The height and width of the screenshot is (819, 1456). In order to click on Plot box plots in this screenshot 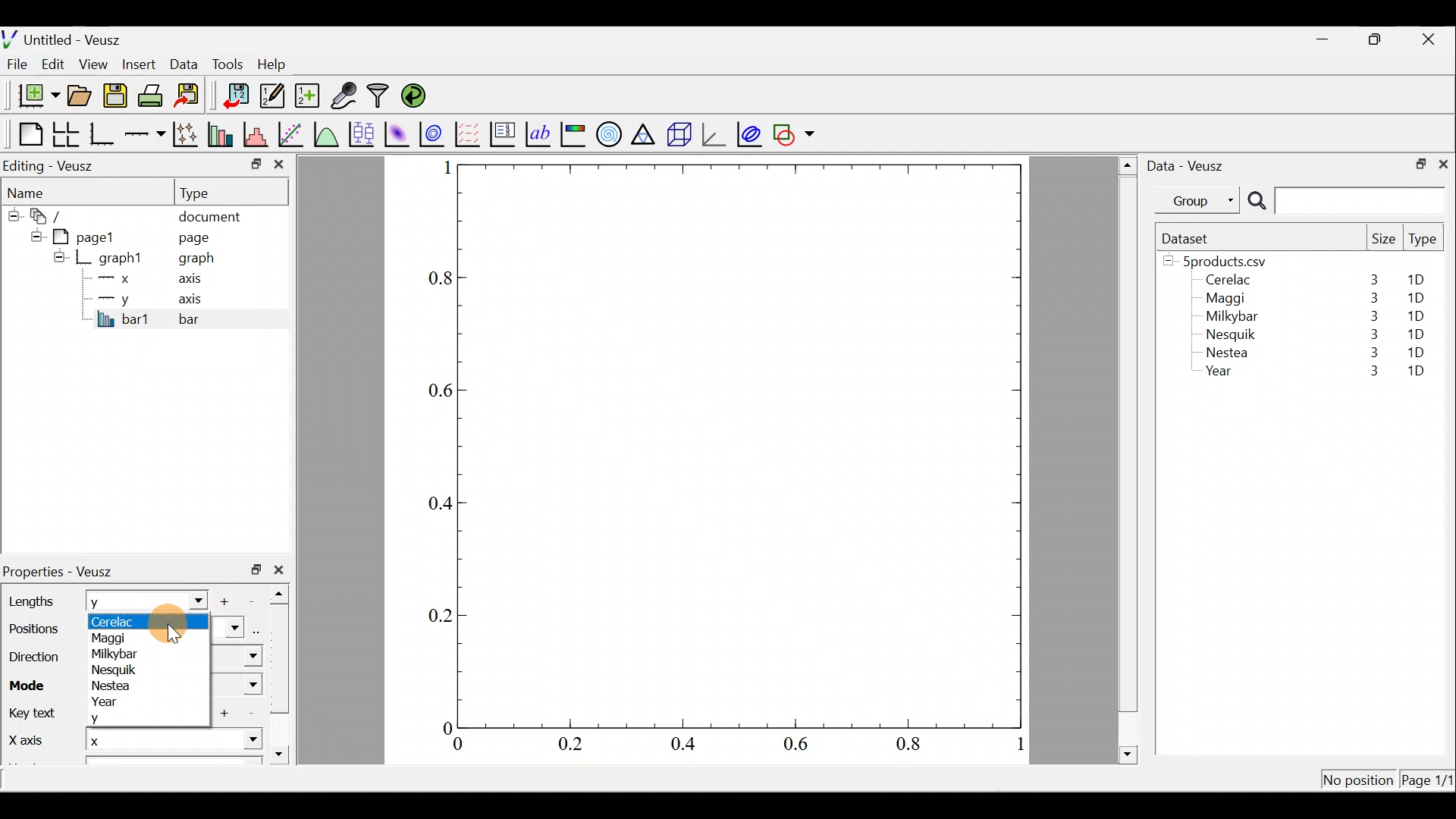, I will do `click(363, 133)`.